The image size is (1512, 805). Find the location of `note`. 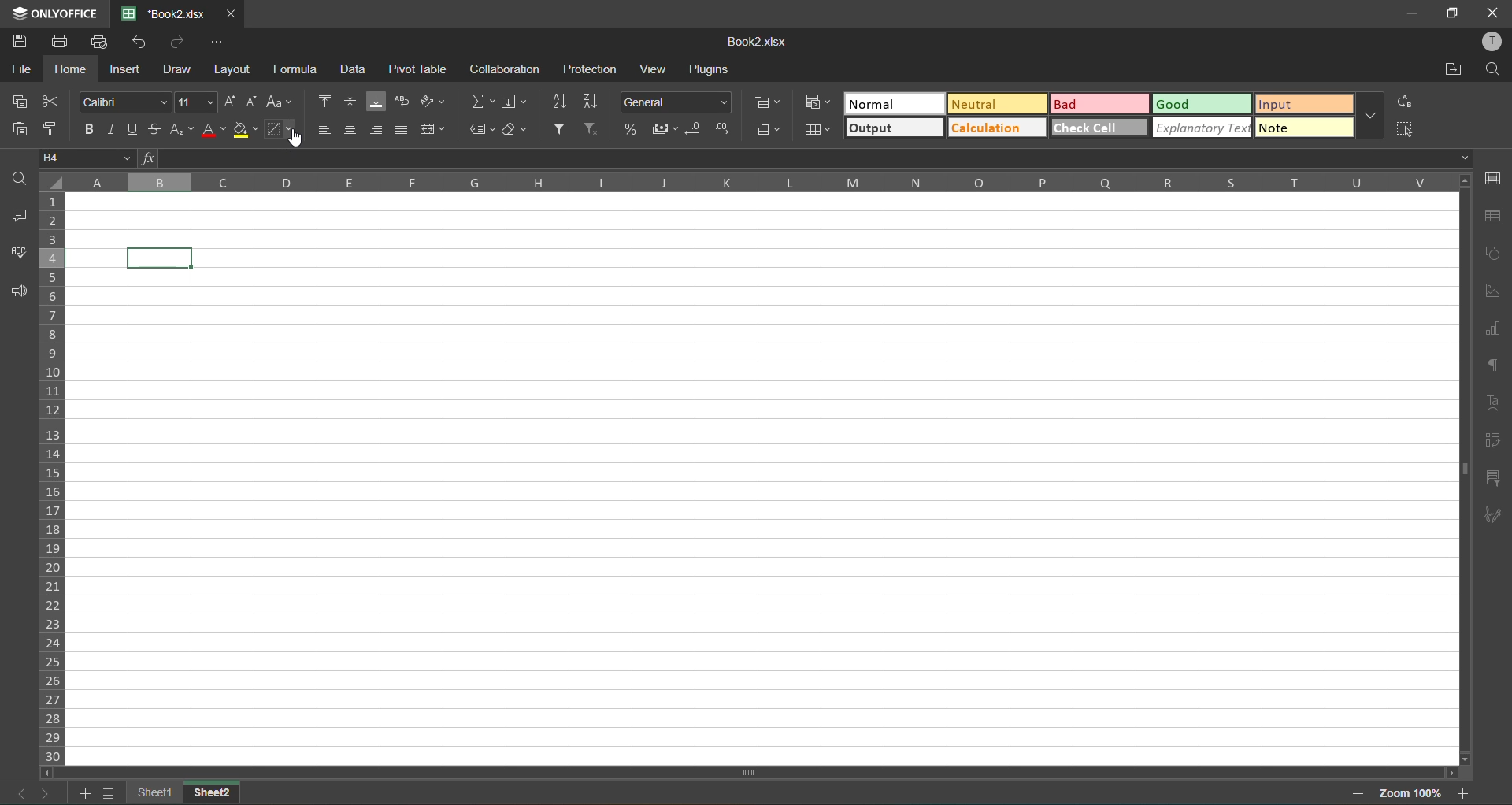

note is located at coordinates (1301, 130).